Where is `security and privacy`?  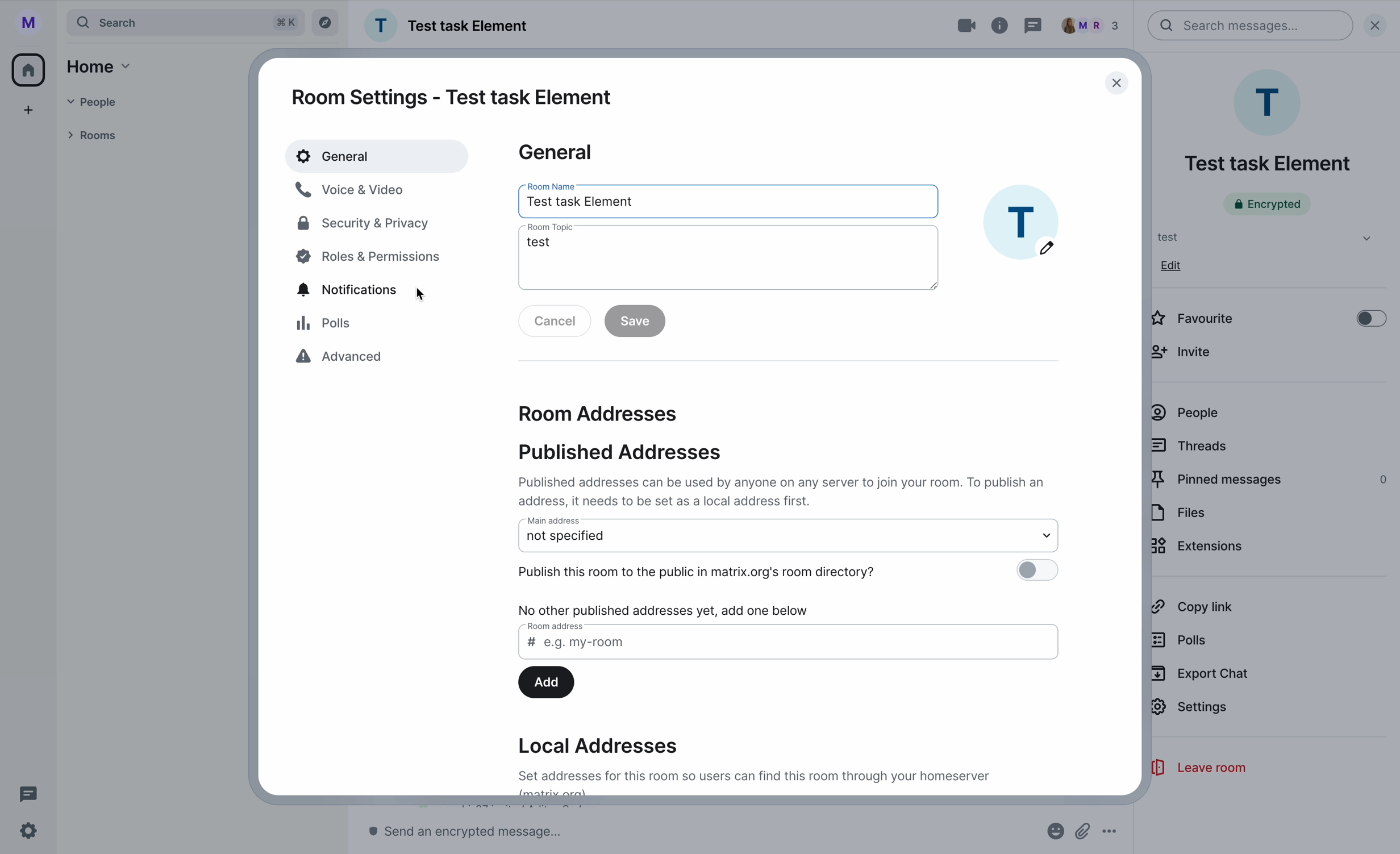
security and privacy is located at coordinates (365, 225).